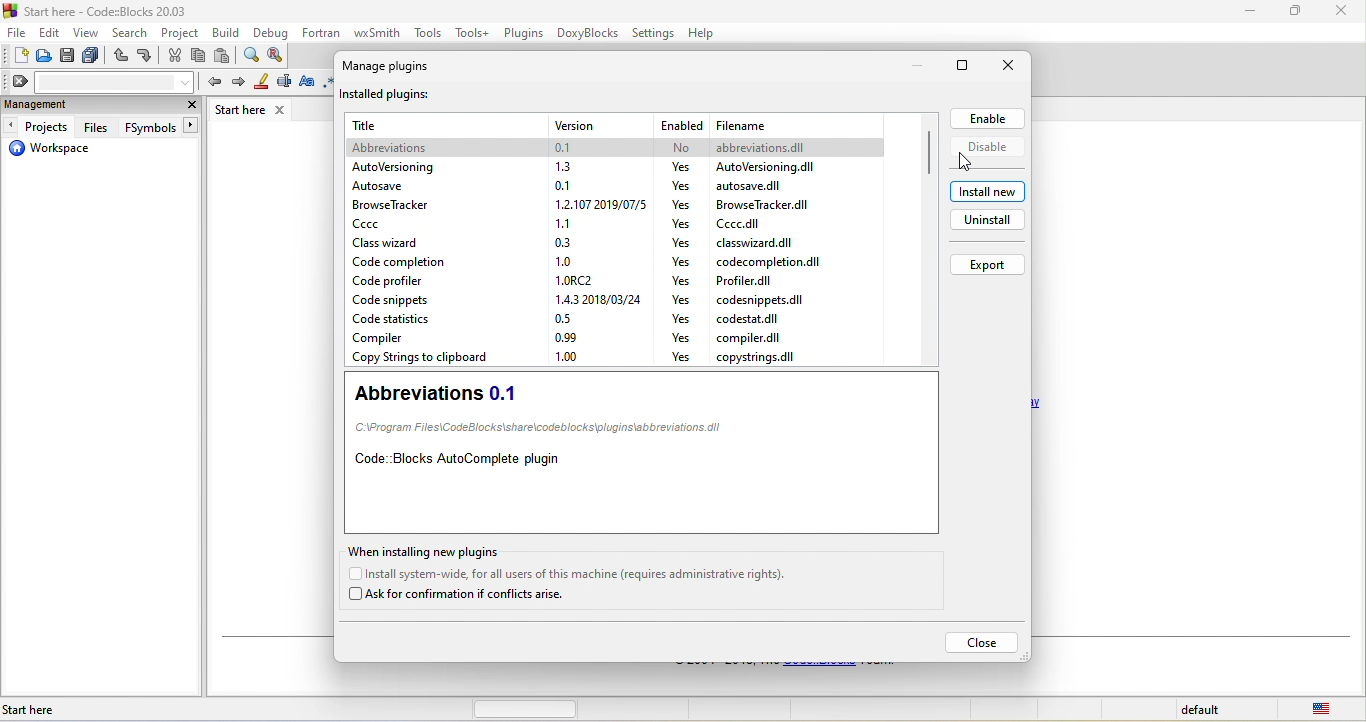  Describe the element at coordinates (49, 31) in the screenshot. I see `edit` at that location.